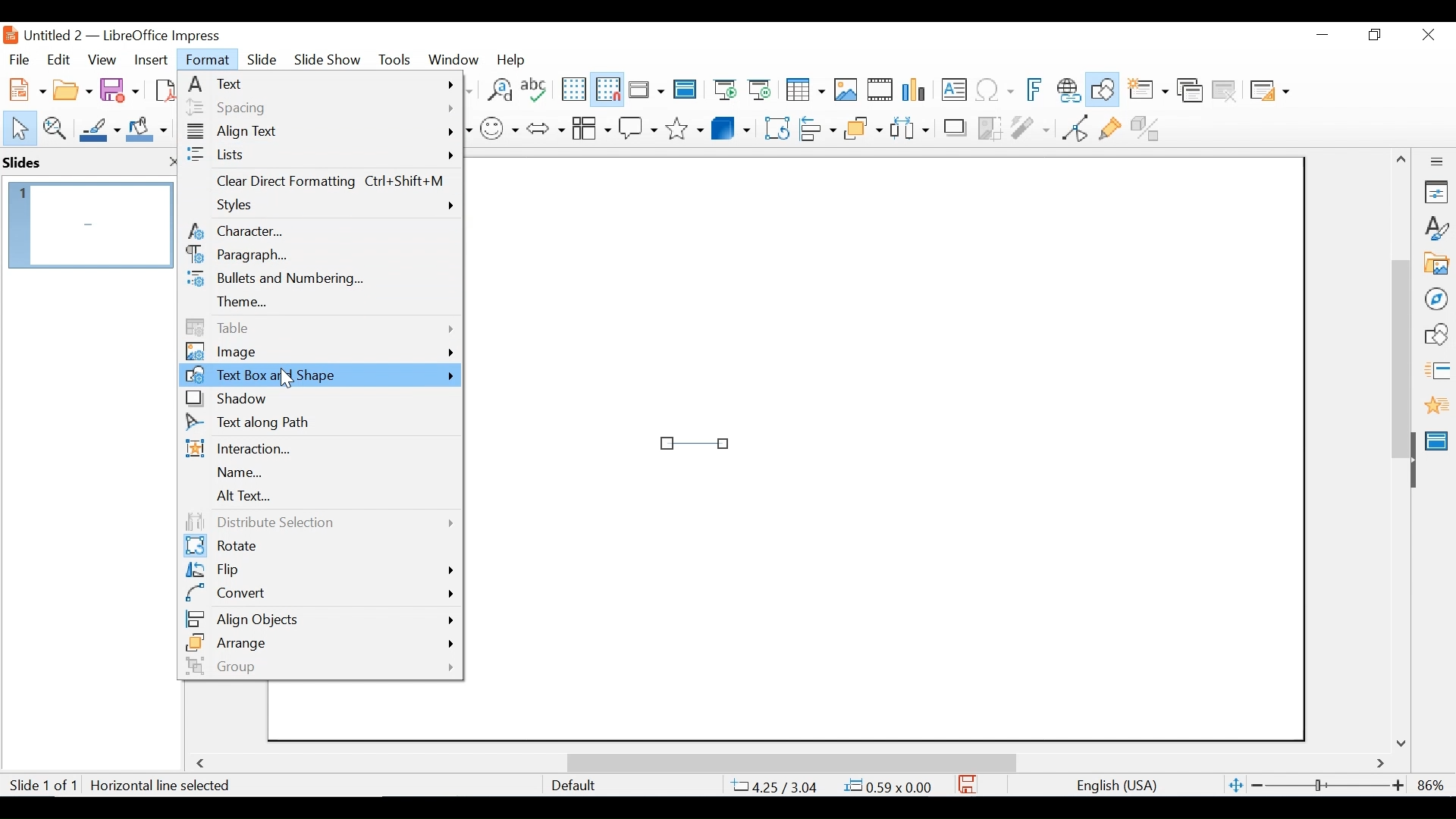 This screenshot has width=1456, height=819. I want to click on Stars and Banners, so click(686, 126).